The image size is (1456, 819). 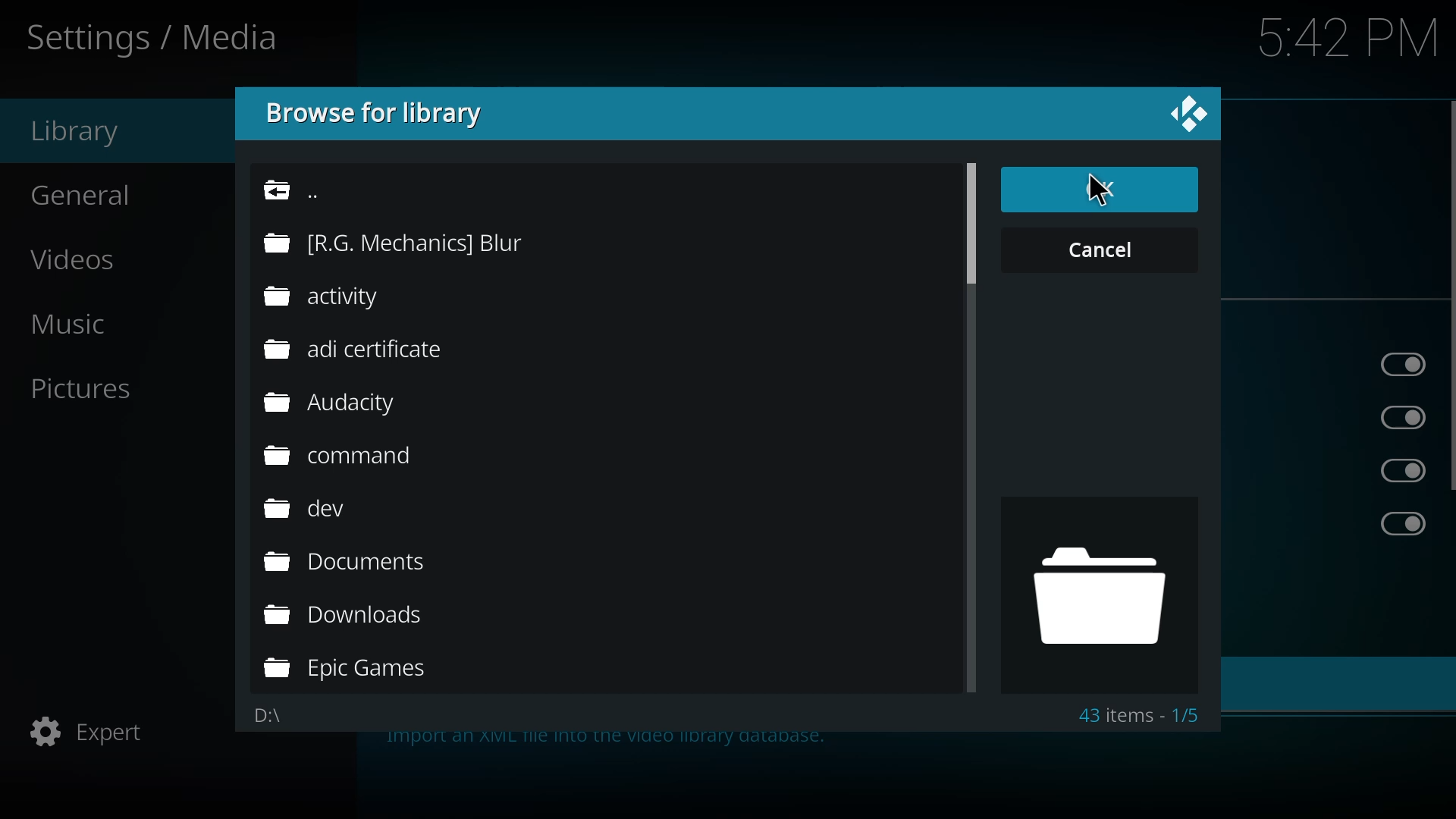 I want to click on folder, so click(x=352, y=670).